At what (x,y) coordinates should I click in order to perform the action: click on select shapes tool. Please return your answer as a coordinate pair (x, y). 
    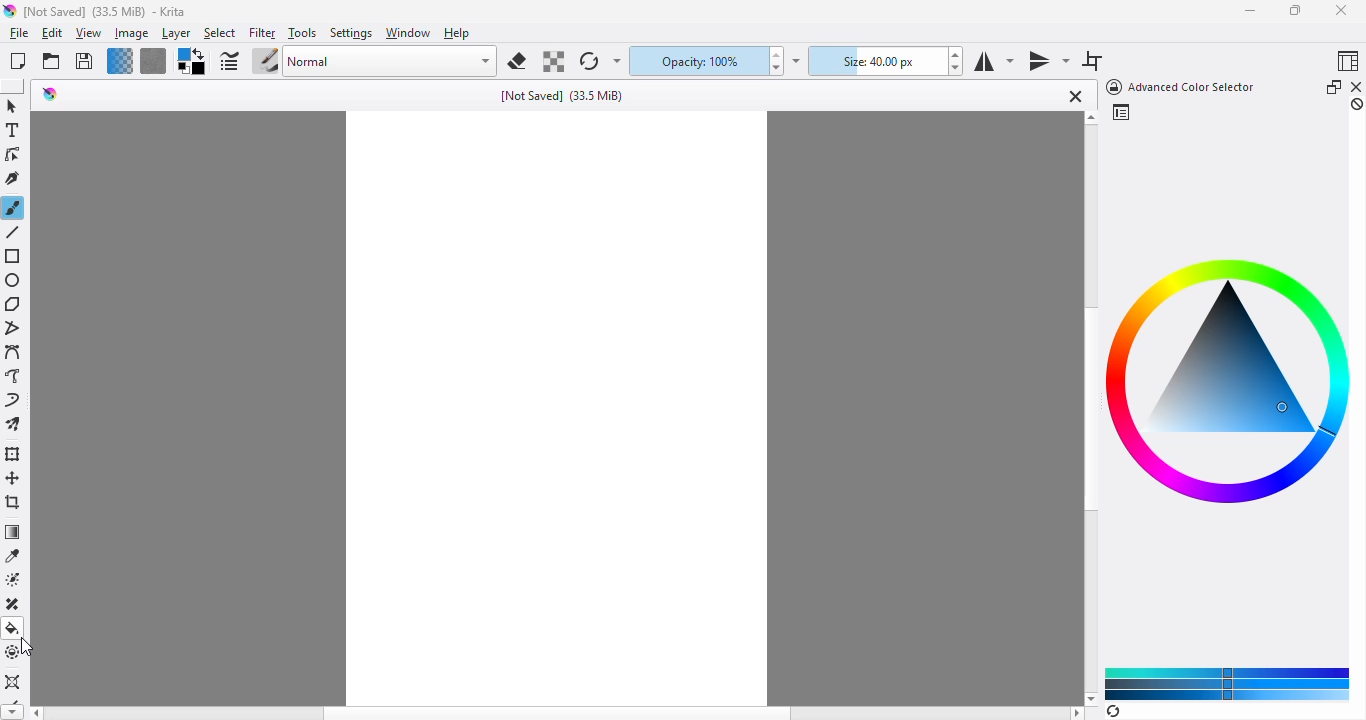
    Looking at the image, I should click on (12, 106).